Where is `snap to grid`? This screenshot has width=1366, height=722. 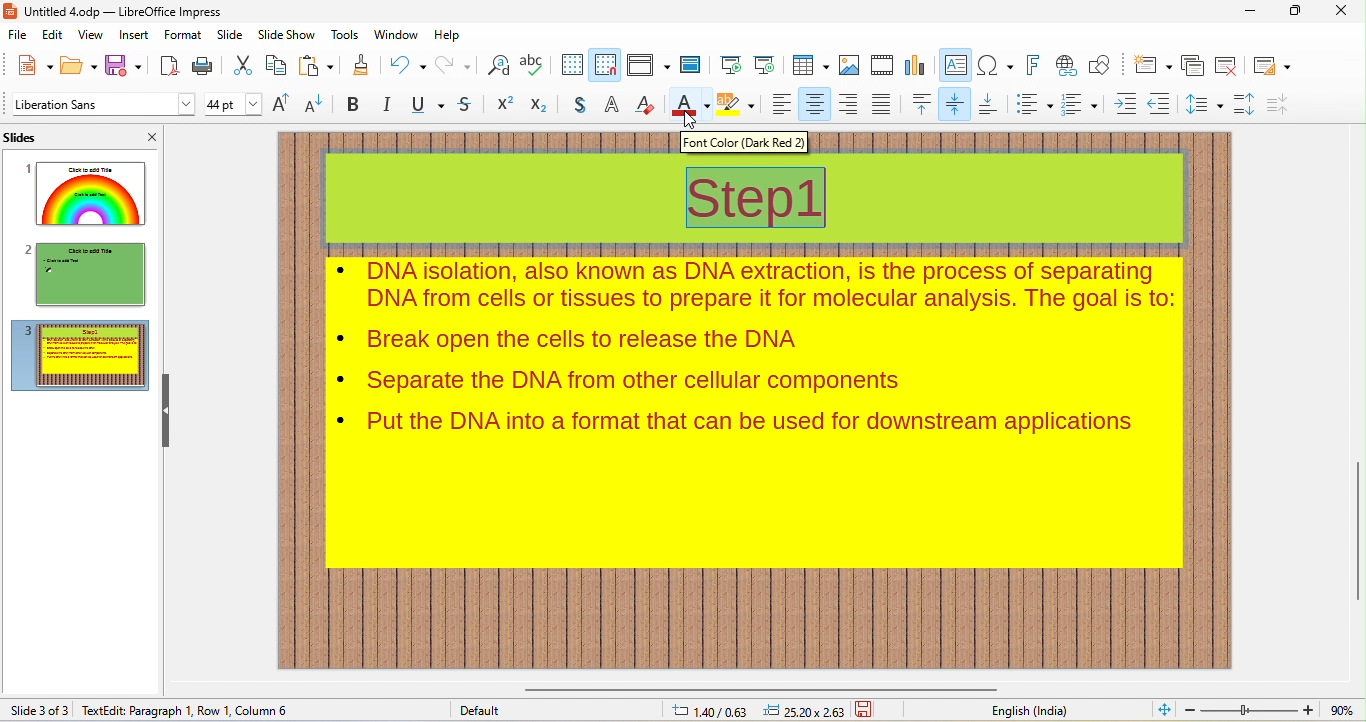
snap to grid is located at coordinates (604, 64).